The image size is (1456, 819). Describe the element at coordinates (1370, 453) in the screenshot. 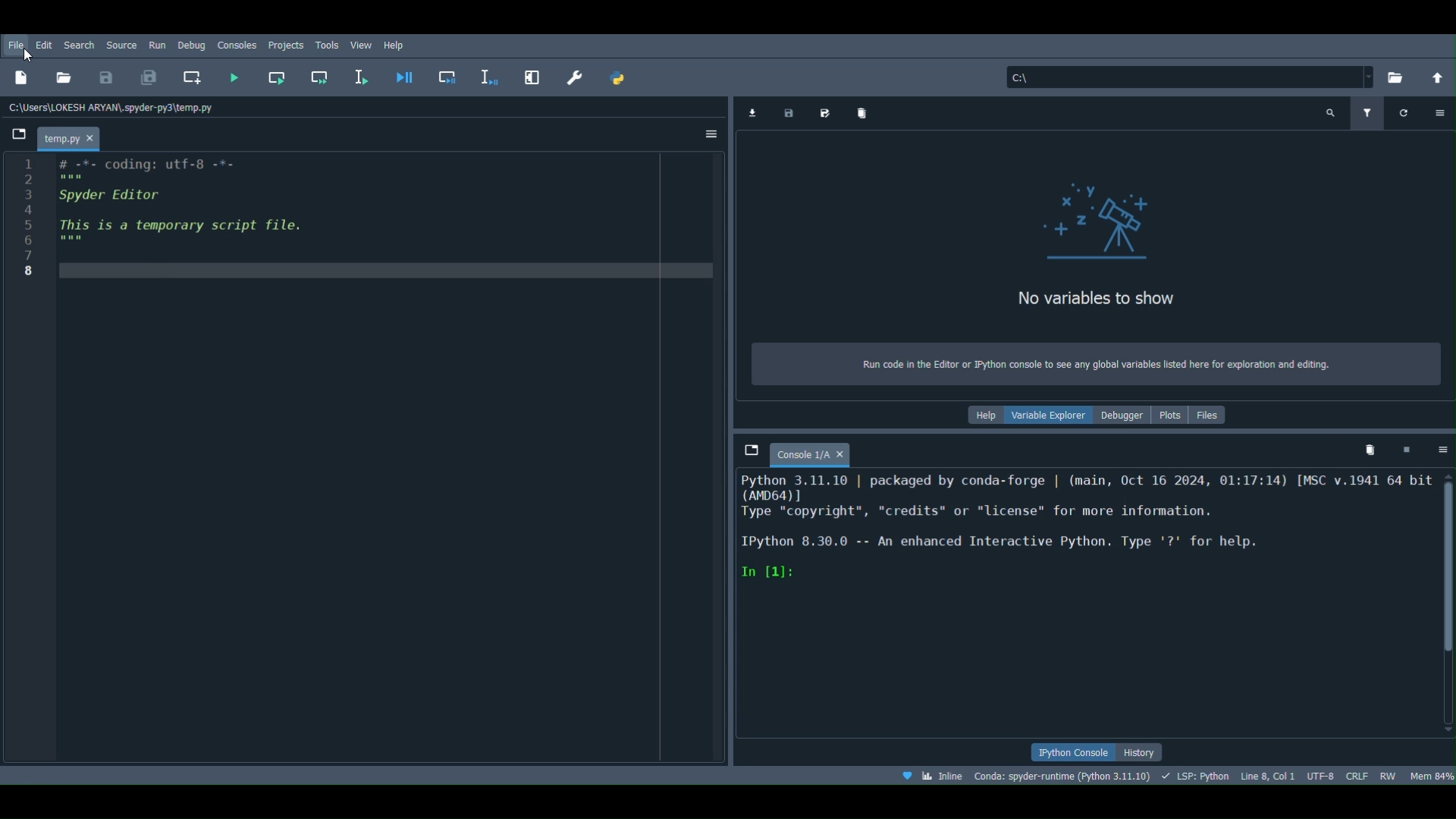

I see `Remove  all variables from namespace` at that location.